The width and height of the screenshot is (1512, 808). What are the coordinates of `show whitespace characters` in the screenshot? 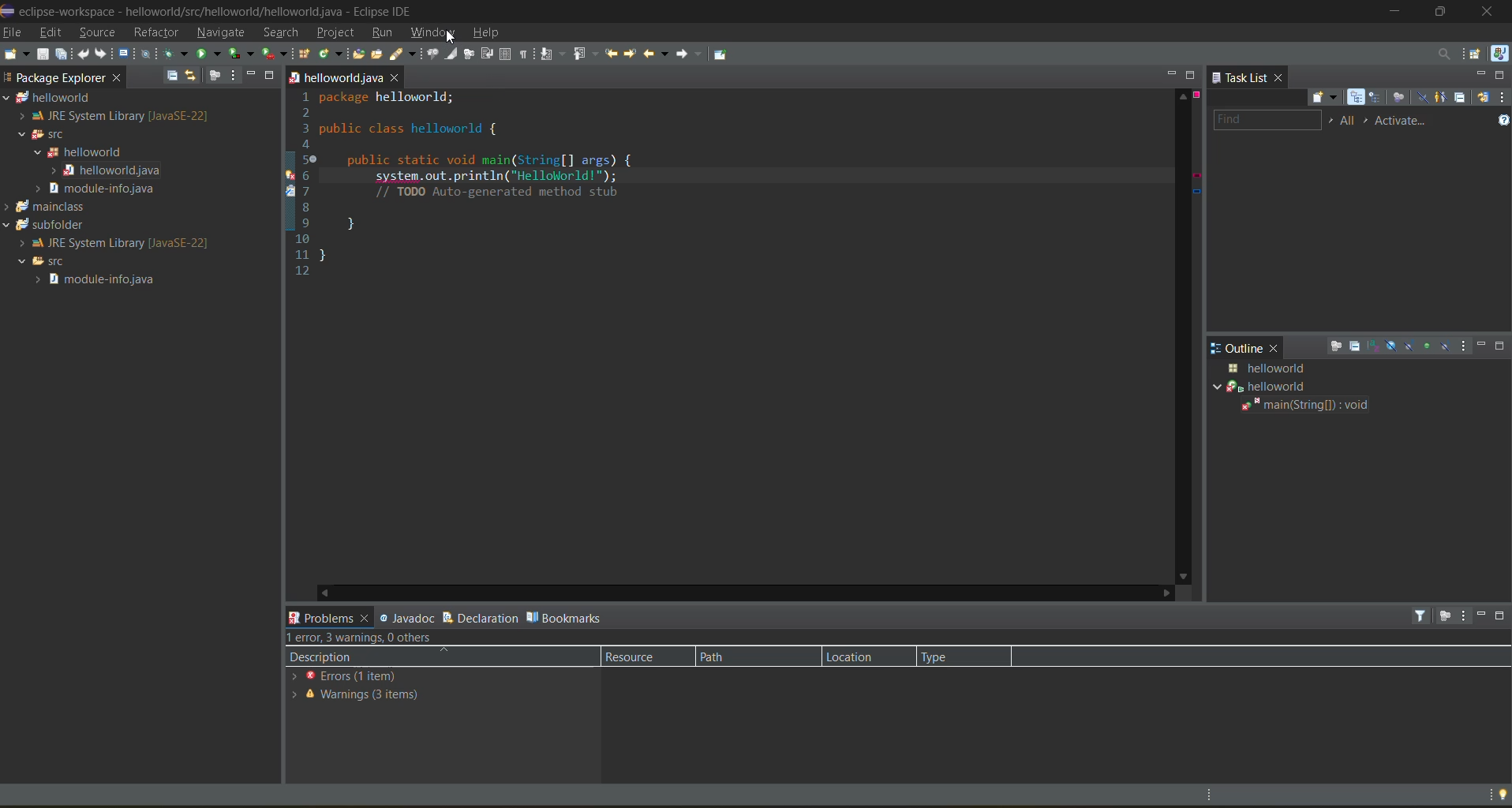 It's located at (523, 56).